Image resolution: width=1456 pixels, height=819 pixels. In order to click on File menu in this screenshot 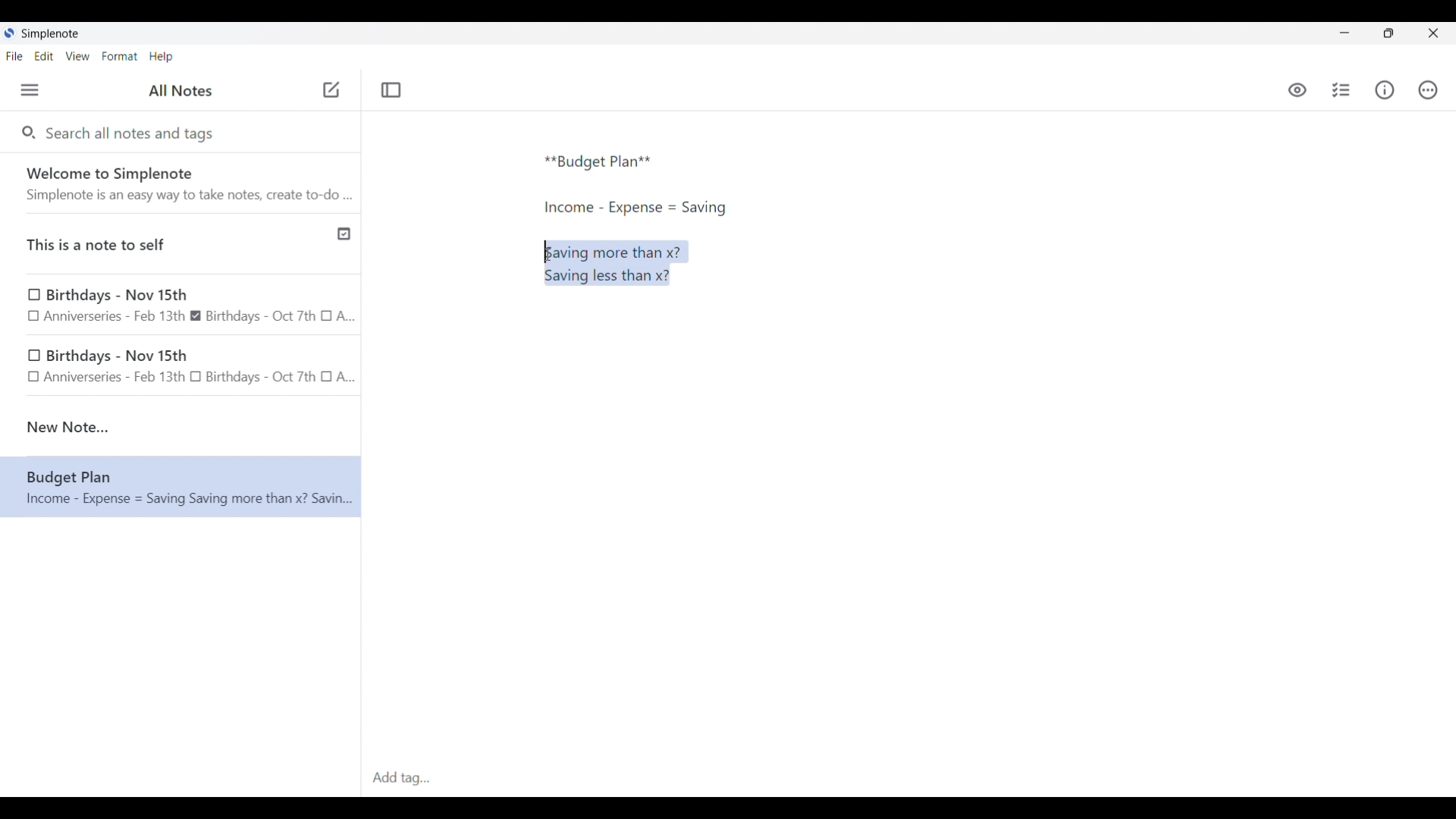, I will do `click(14, 55)`.